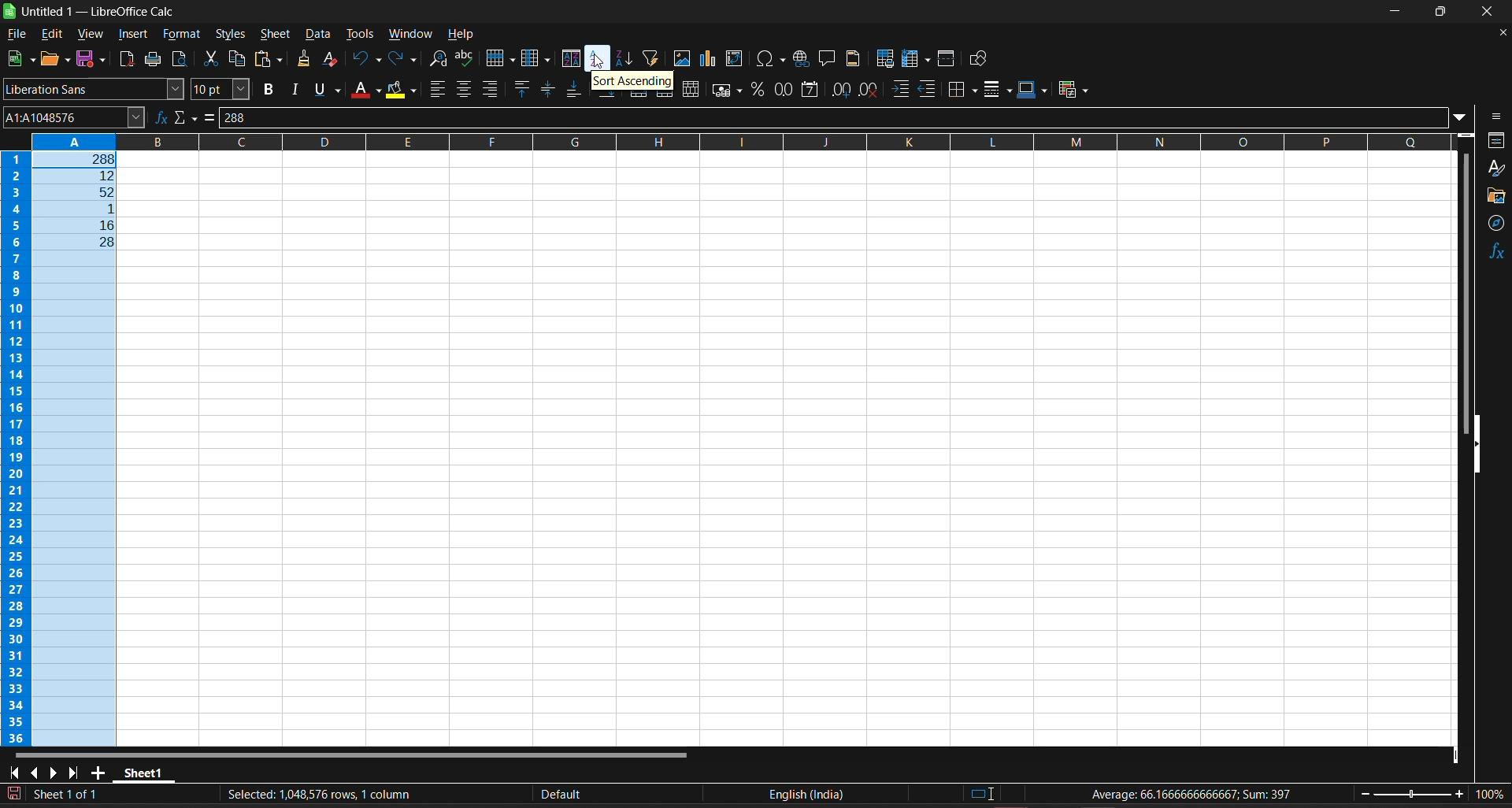 The image size is (1512, 808). What do you see at coordinates (52, 35) in the screenshot?
I see `edit` at bounding box center [52, 35].